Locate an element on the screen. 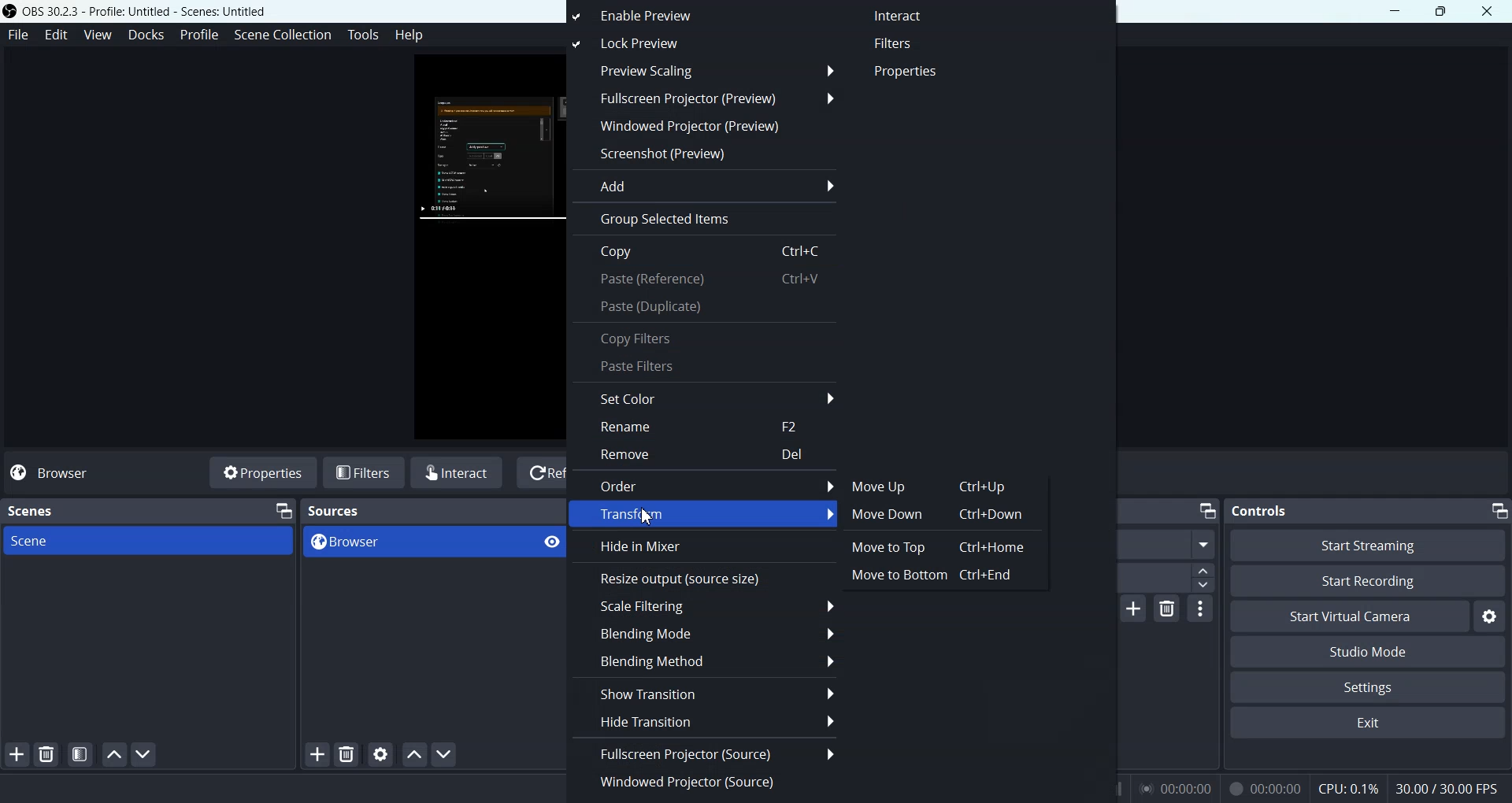  Move Down is located at coordinates (936, 514).